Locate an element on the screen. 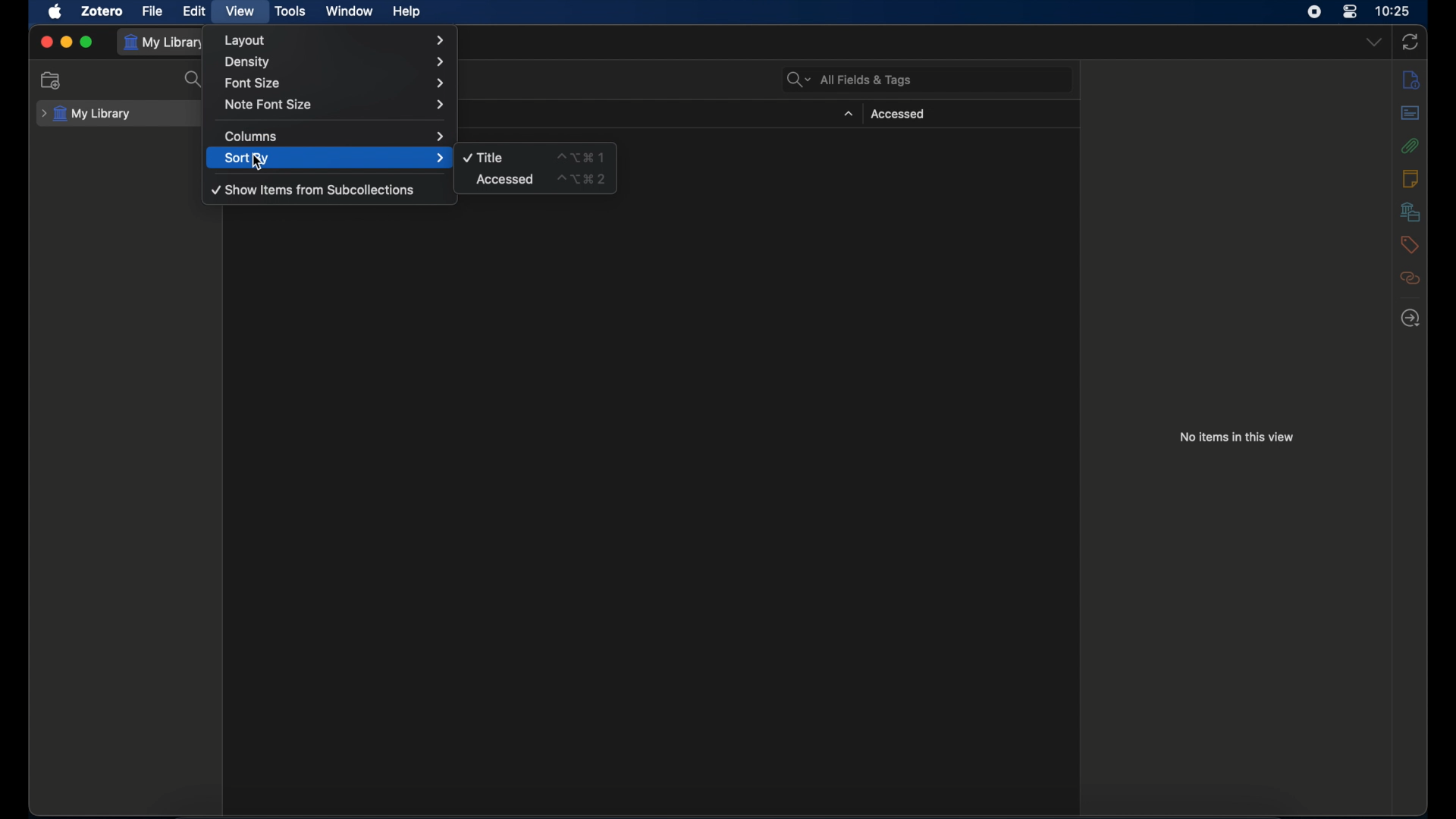 This screenshot has height=819, width=1456. related is located at coordinates (1411, 279).